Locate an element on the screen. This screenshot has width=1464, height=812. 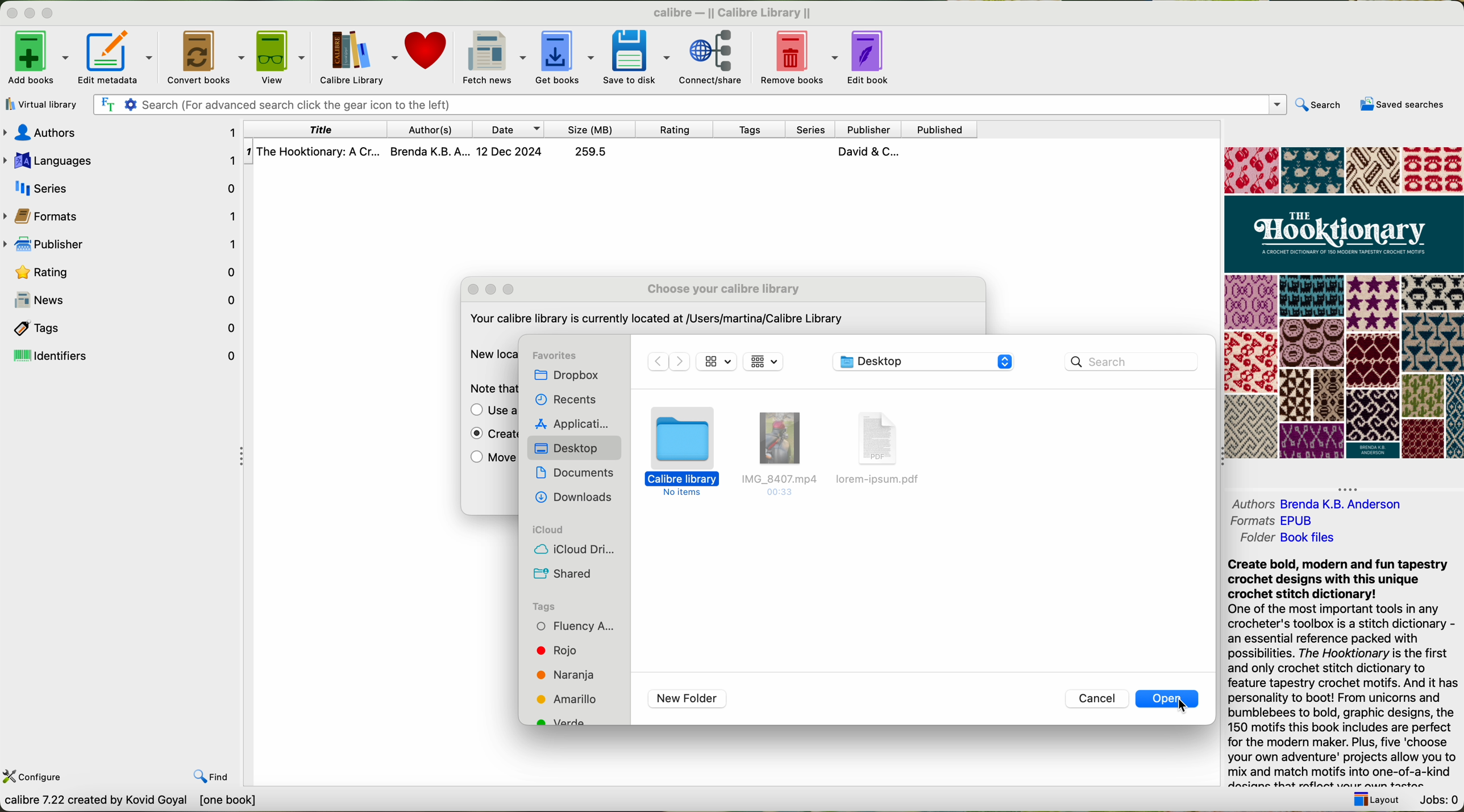
desktop is located at coordinates (928, 362).